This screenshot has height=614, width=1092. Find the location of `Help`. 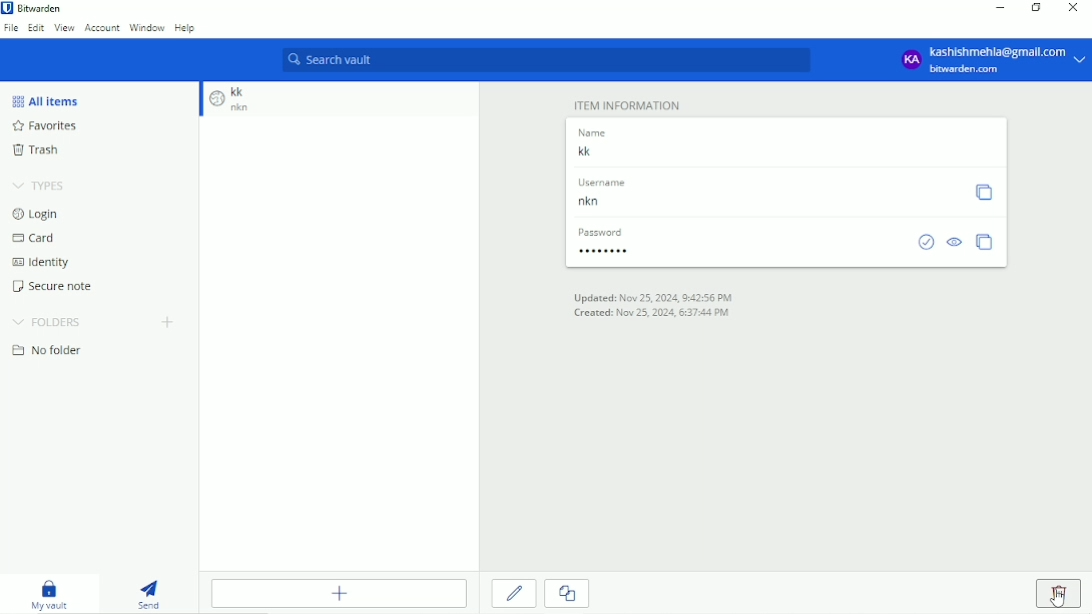

Help is located at coordinates (184, 29).